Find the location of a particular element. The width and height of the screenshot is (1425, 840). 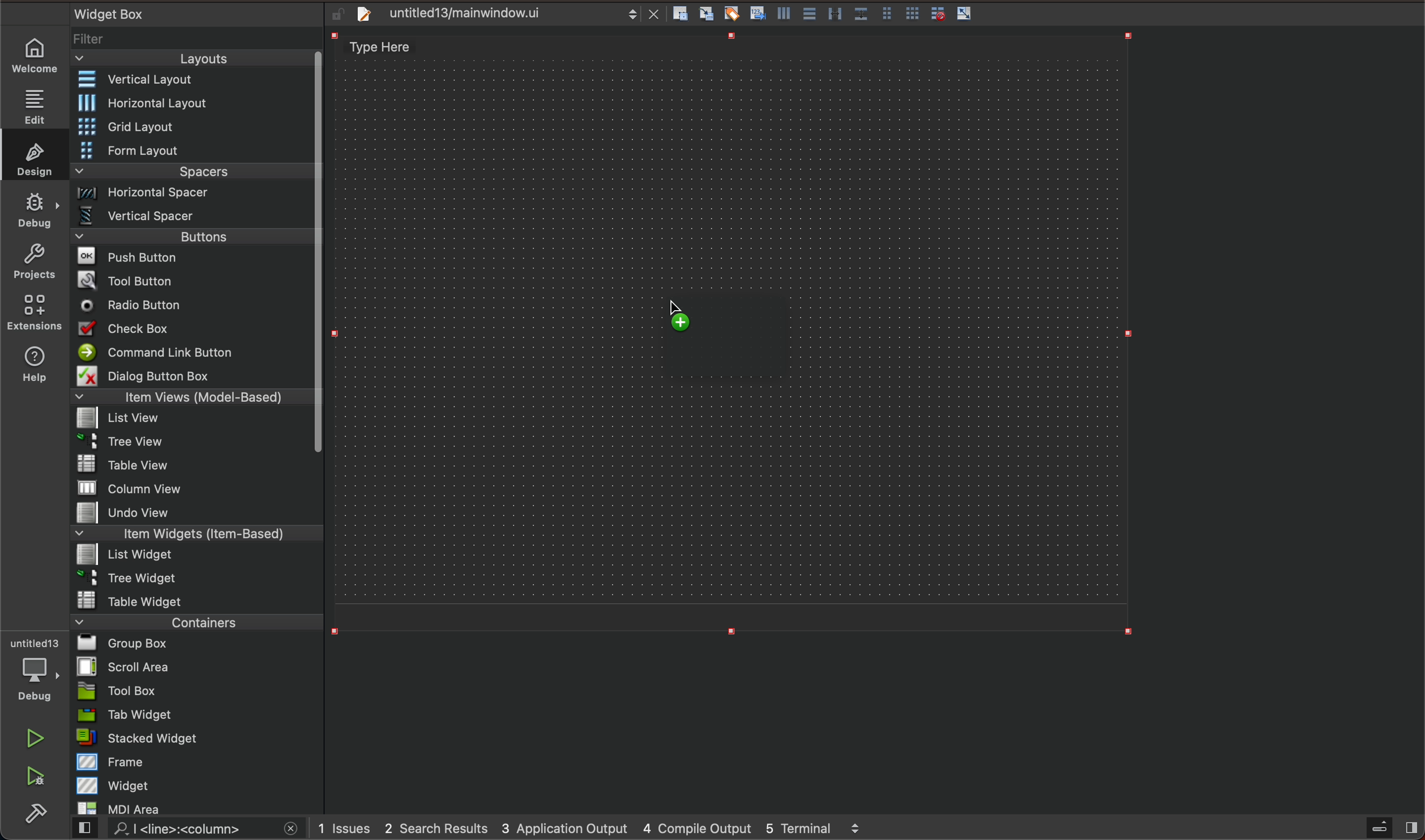

MDI Area is located at coordinates (190, 808).